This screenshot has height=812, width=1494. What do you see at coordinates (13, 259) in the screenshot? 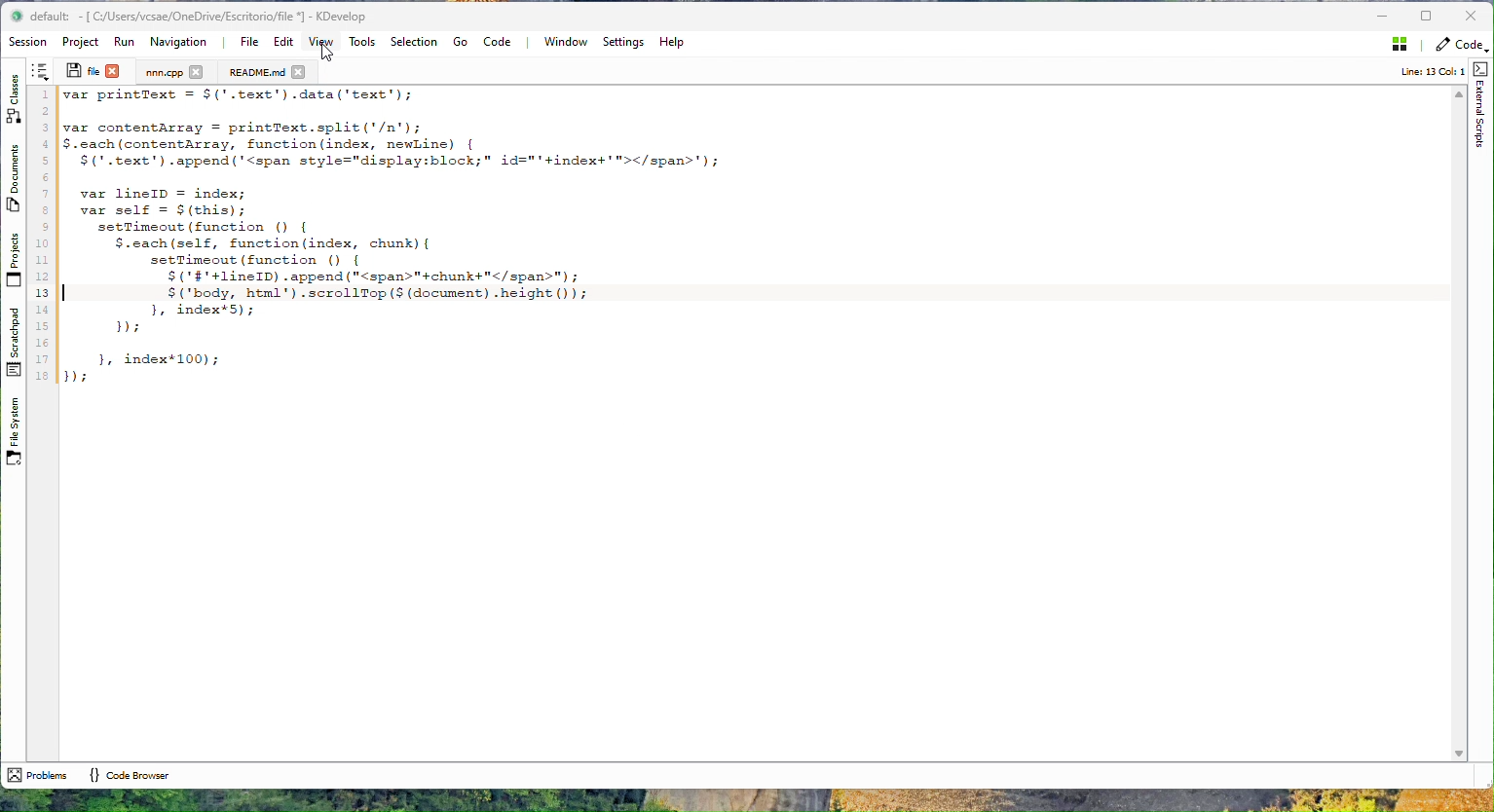
I see `Projects` at bounding box center [13, 259].